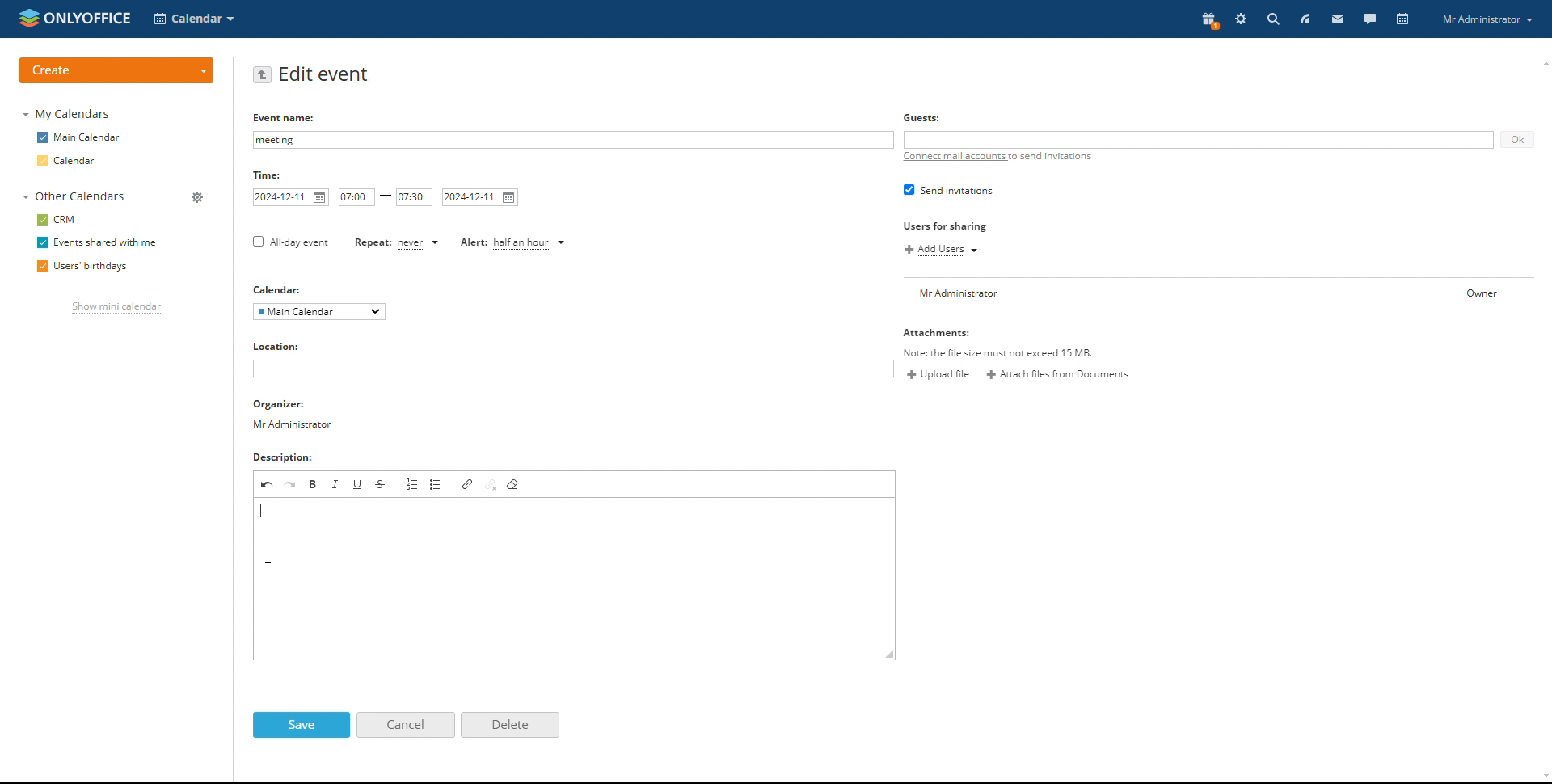 The width and height of the screenshot is (1552, 784). I want to click on present, so click(1209, 19).